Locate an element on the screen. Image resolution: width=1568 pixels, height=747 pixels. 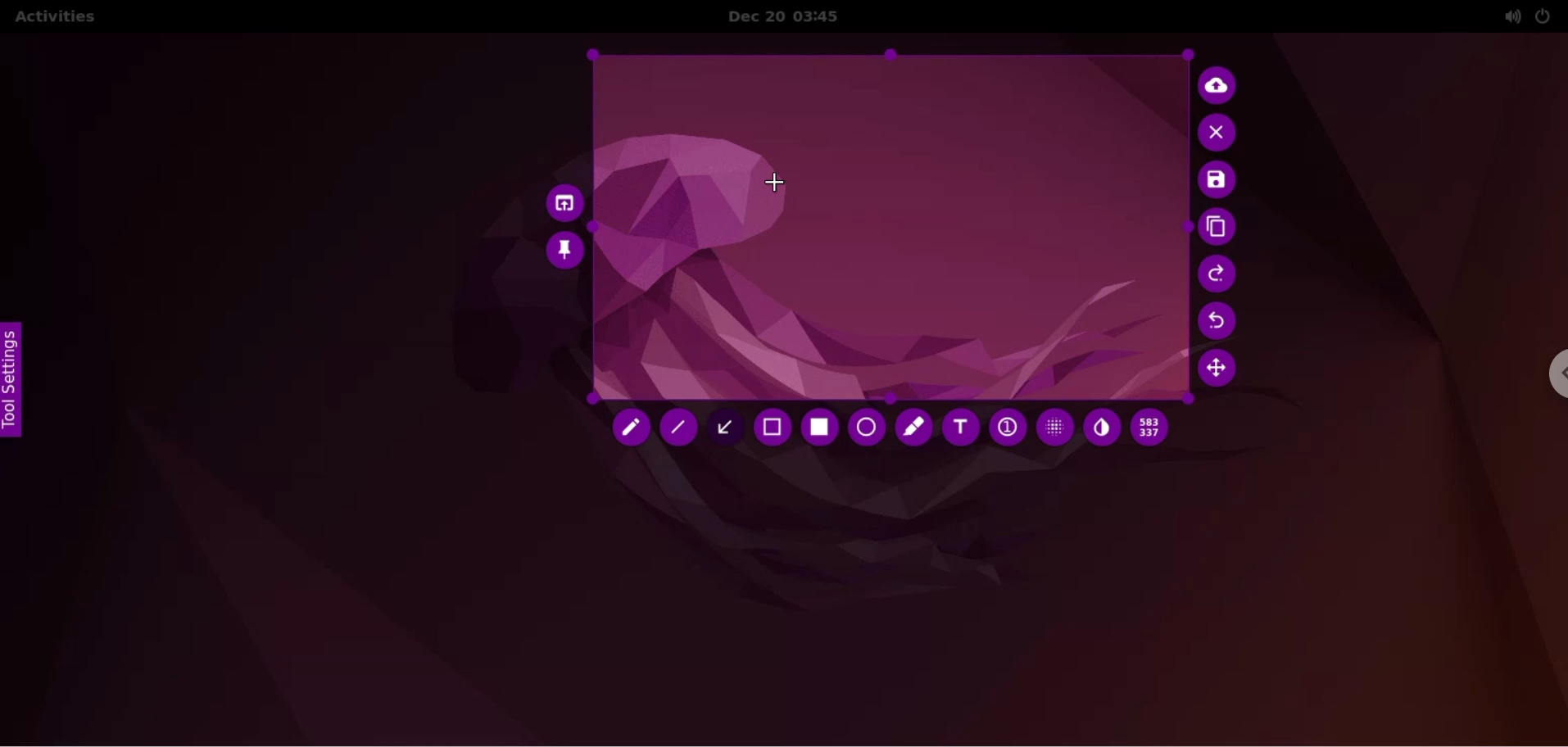
circle tool is located at coordinates (864, 428).